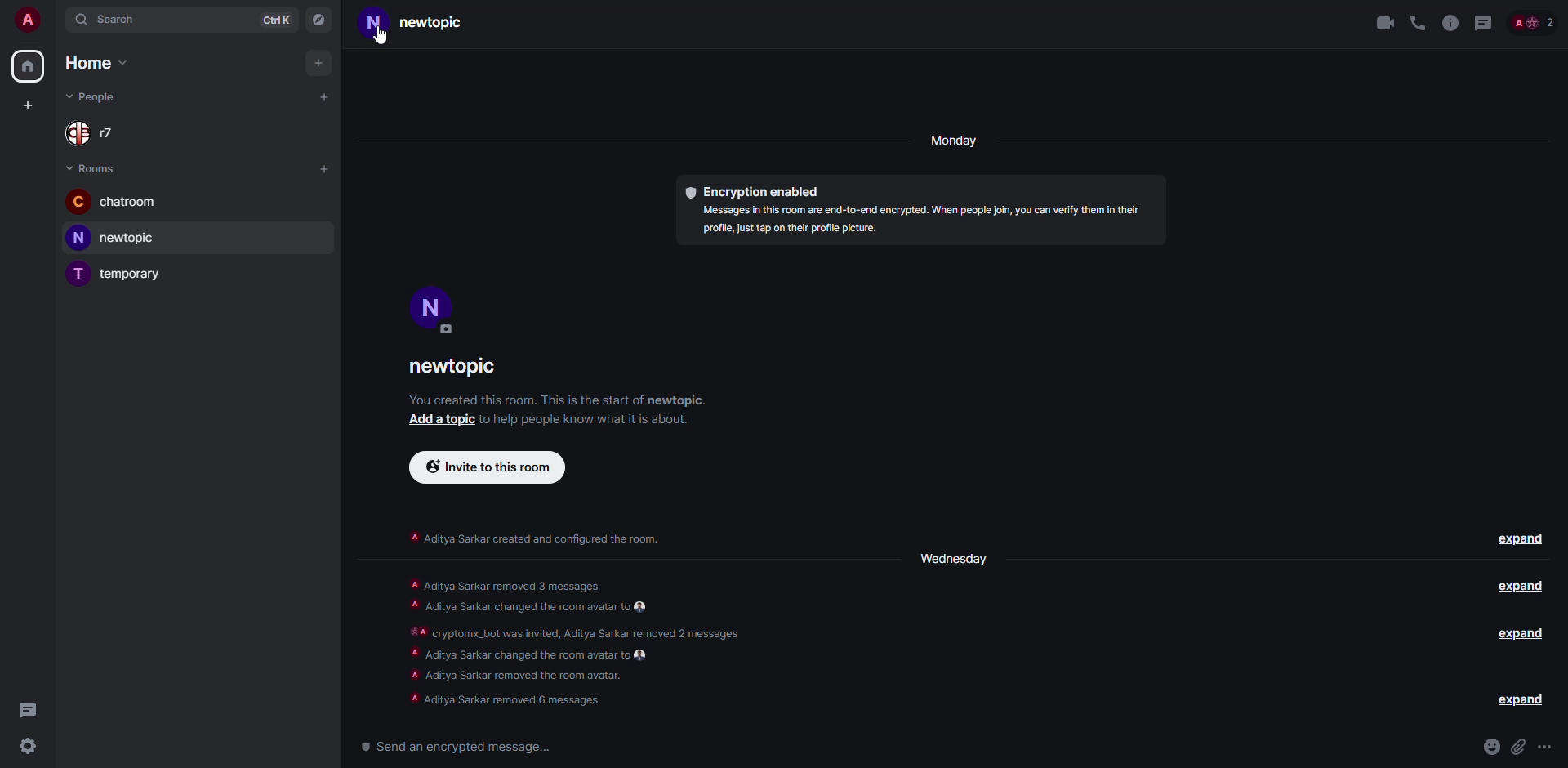 The image size is (1568, 768). I want to click on more, so click(1547, 748).